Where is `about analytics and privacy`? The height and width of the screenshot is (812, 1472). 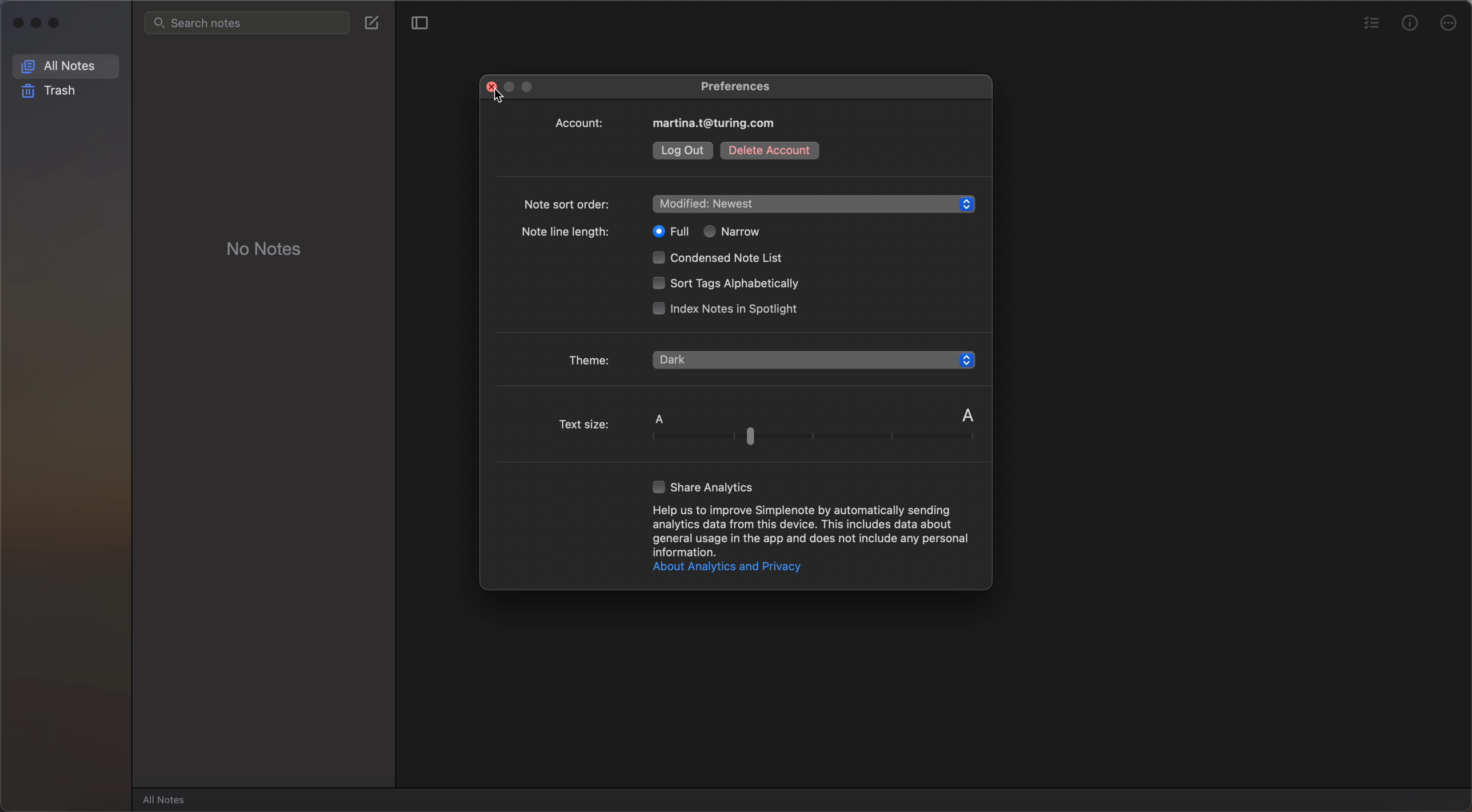
about analytics and privacy is located at coordinates (725, 568).